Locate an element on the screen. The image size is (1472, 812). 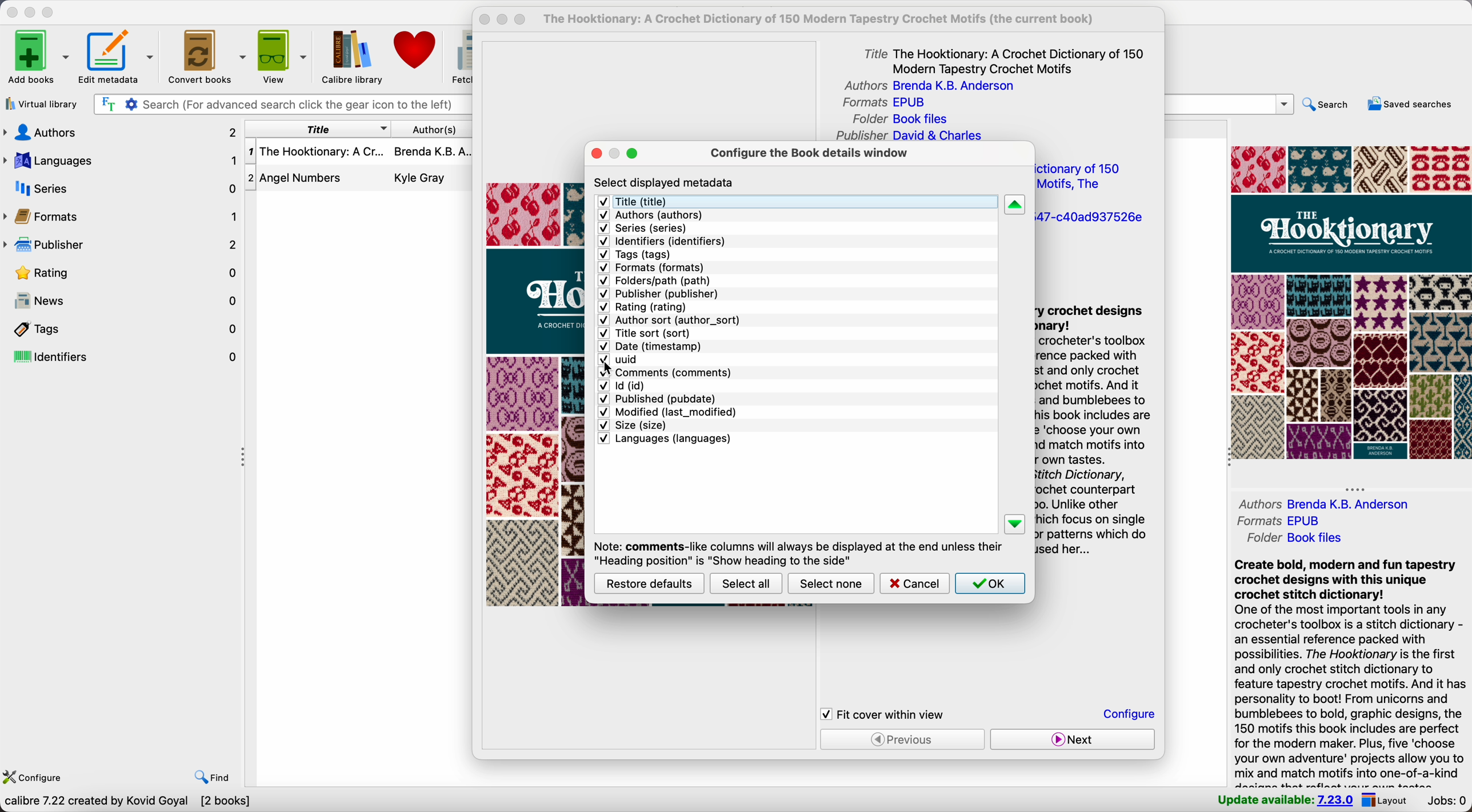
maximize is located at coordinates (520, 21).